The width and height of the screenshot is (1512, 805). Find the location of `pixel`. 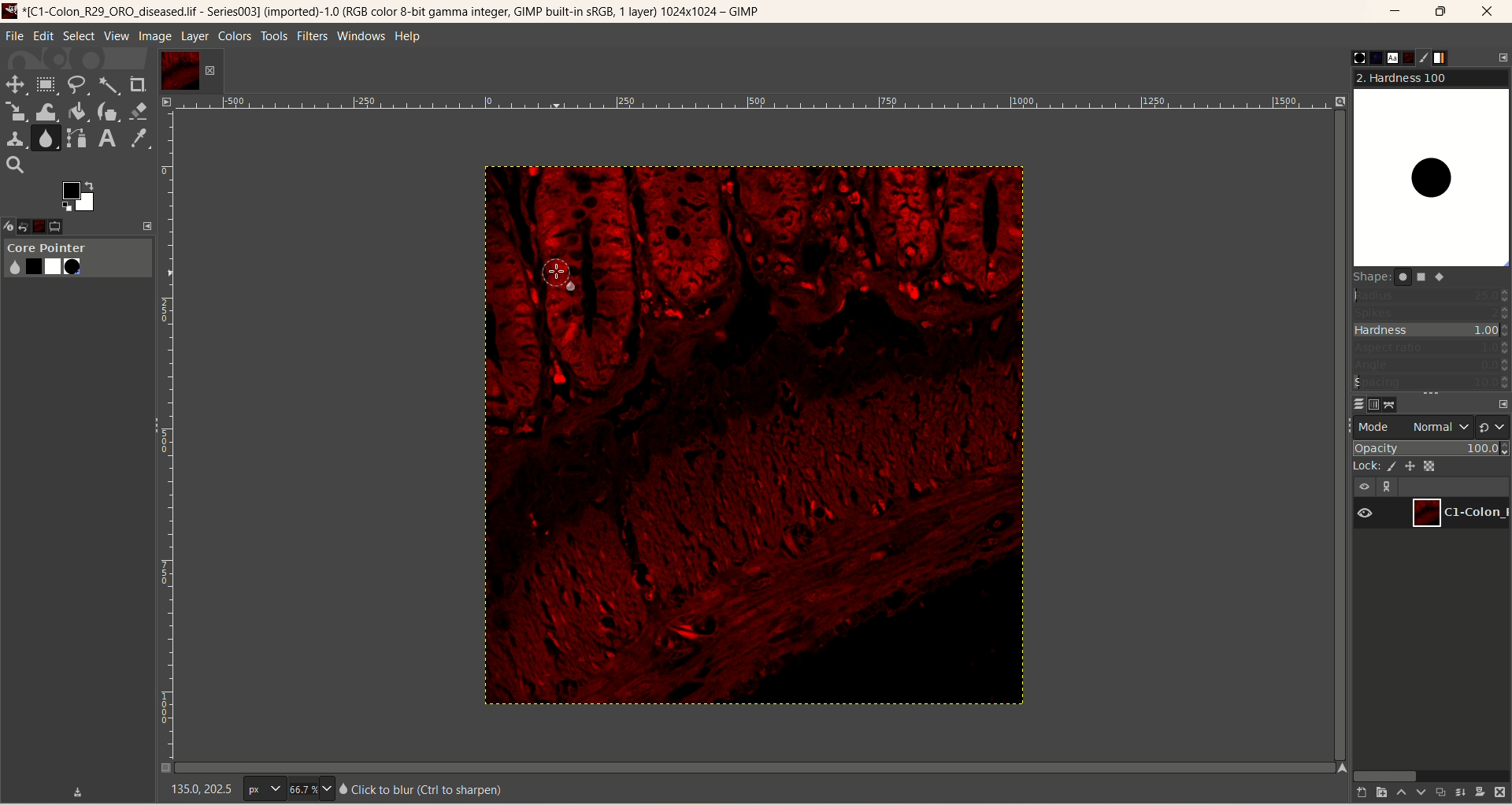

pixel is located at coordinates (264, 790).